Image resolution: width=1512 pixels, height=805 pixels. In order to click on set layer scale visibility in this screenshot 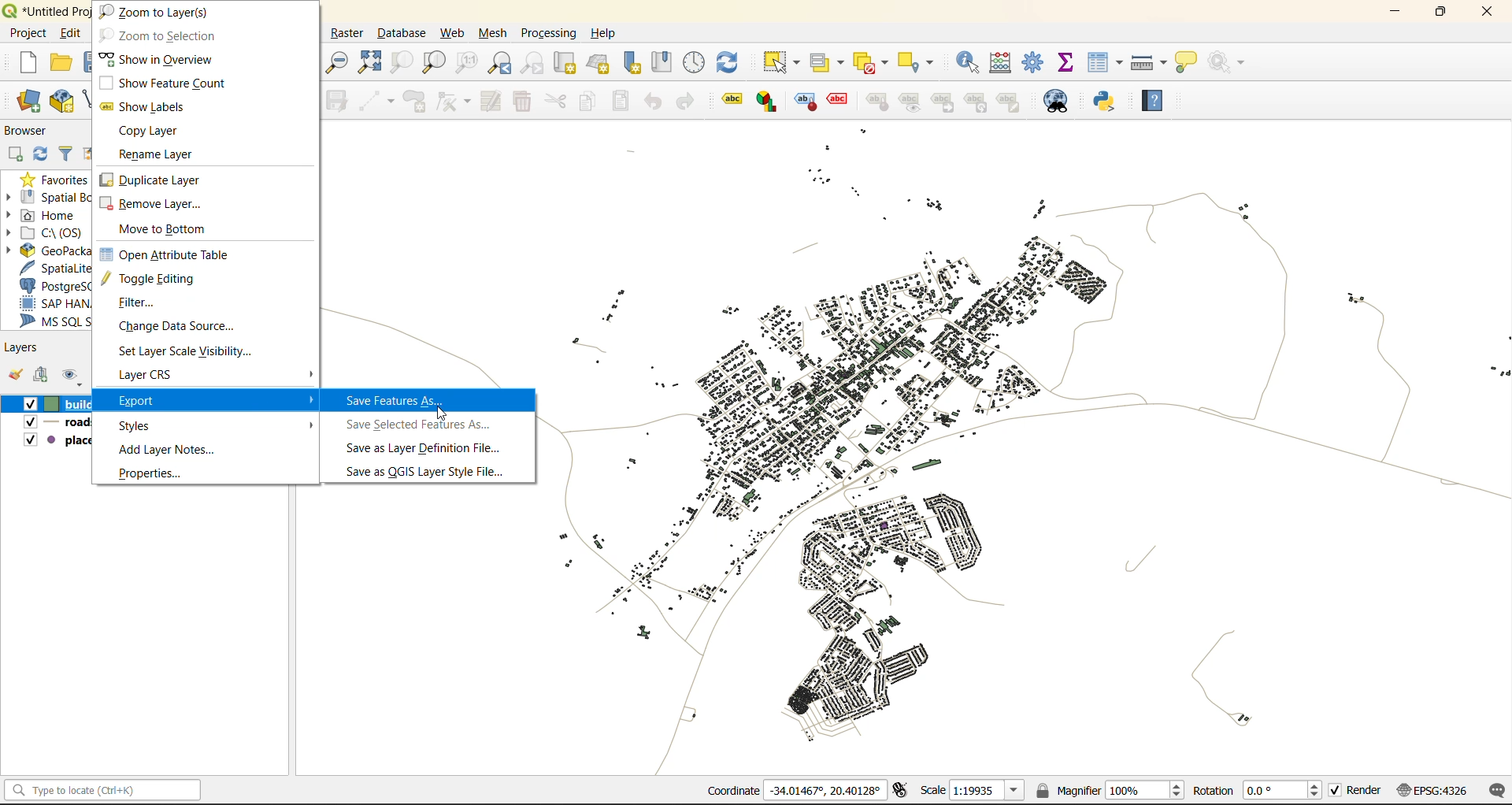, I will do `click(185, 351)`.